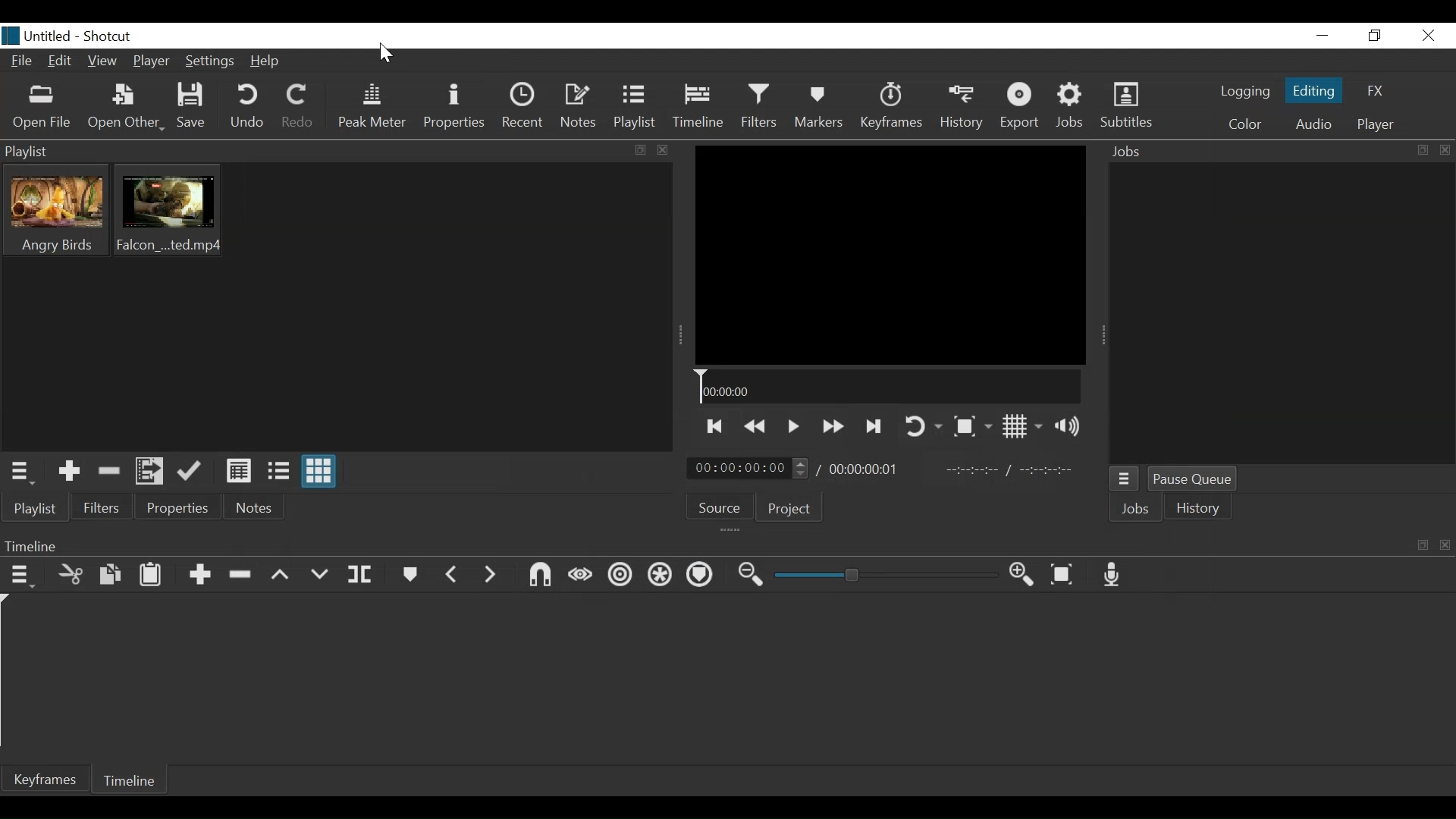  Describe the element at coordinates (103, 63) in the screenshot. I see `View` at that location.